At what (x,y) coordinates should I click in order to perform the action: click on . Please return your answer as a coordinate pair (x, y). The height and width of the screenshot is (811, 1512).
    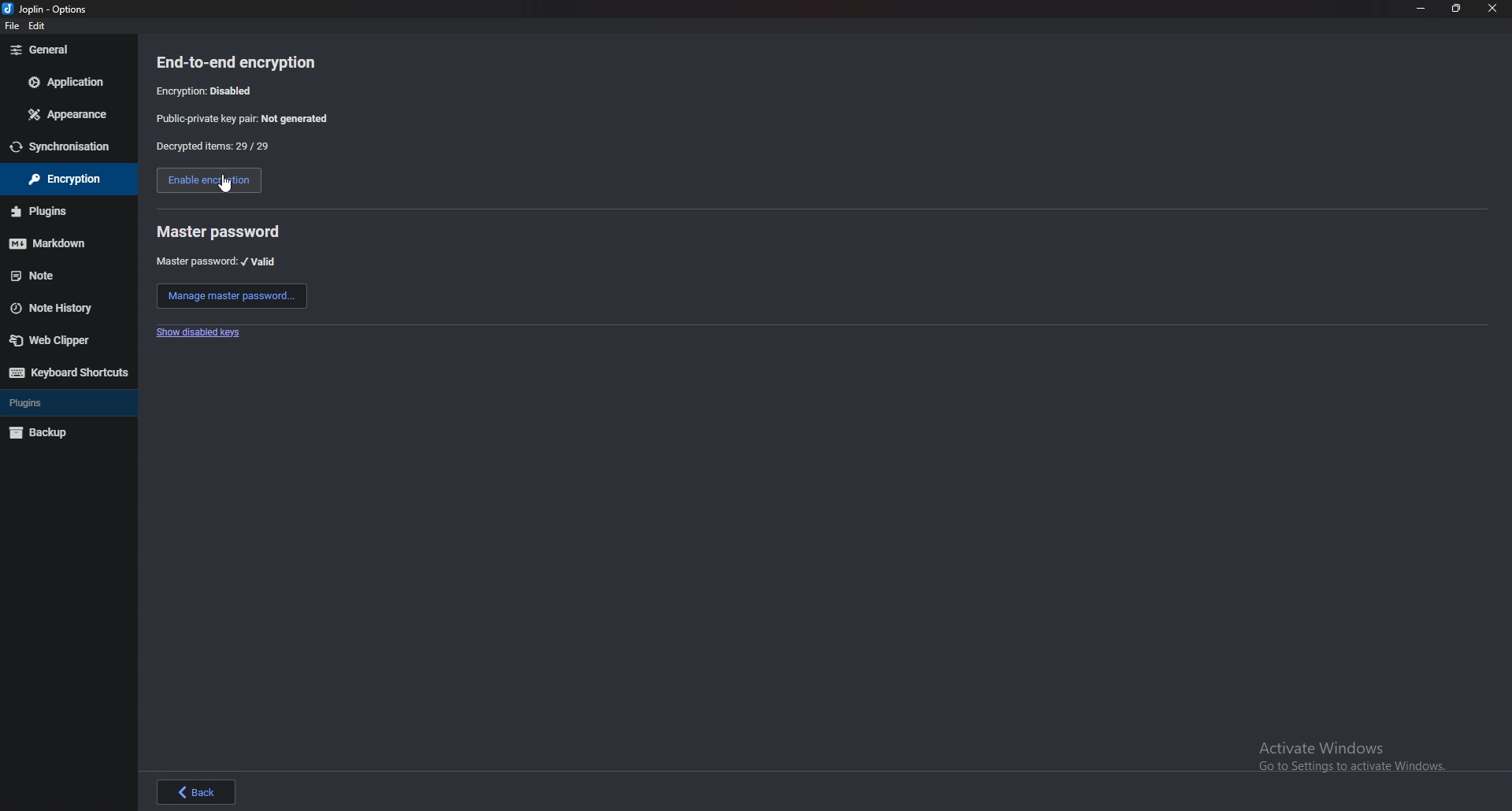
    Looking at the image, I should click on (65, 115).